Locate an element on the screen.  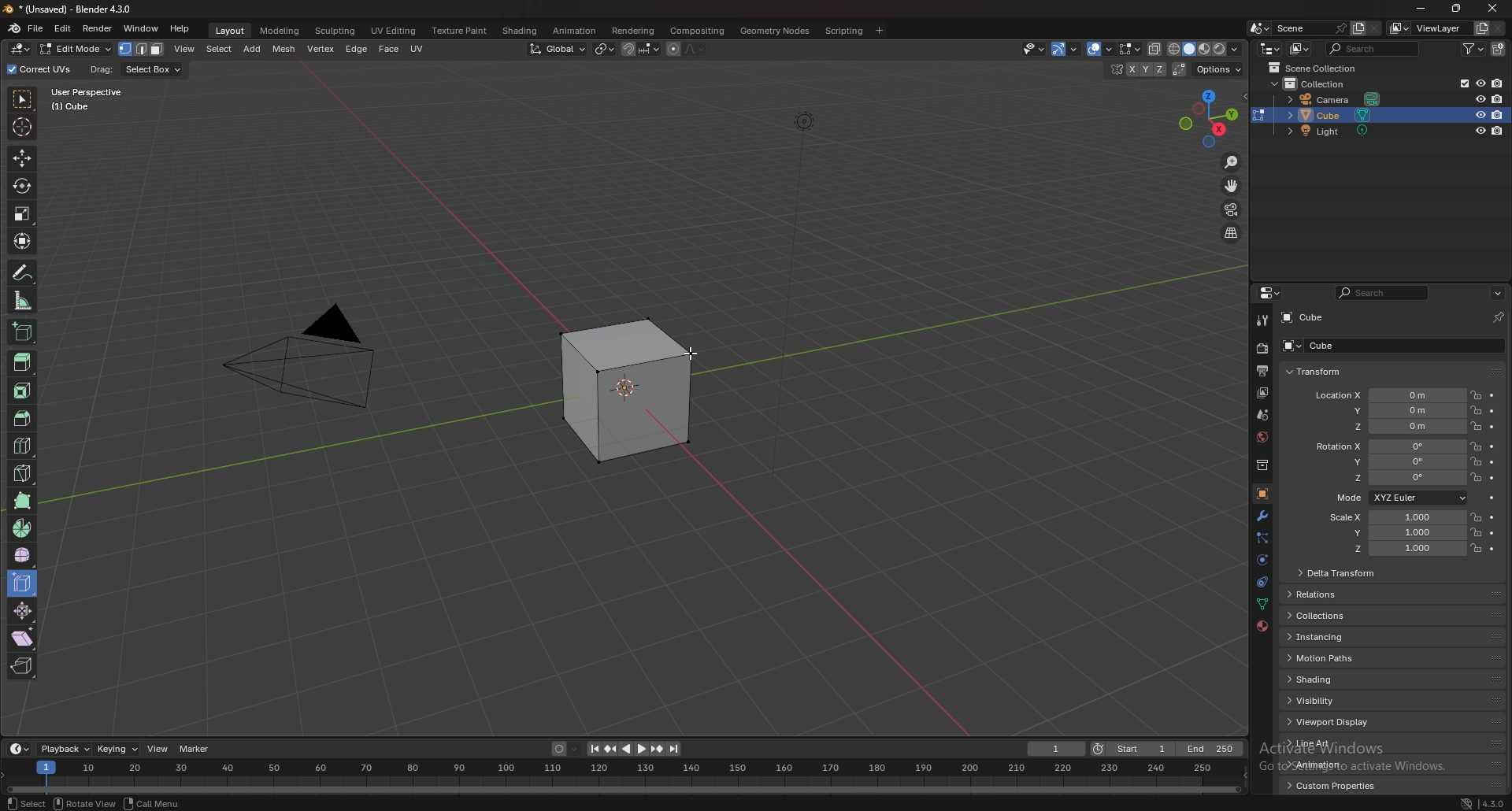
rendering is located at coordinates (634, 31).